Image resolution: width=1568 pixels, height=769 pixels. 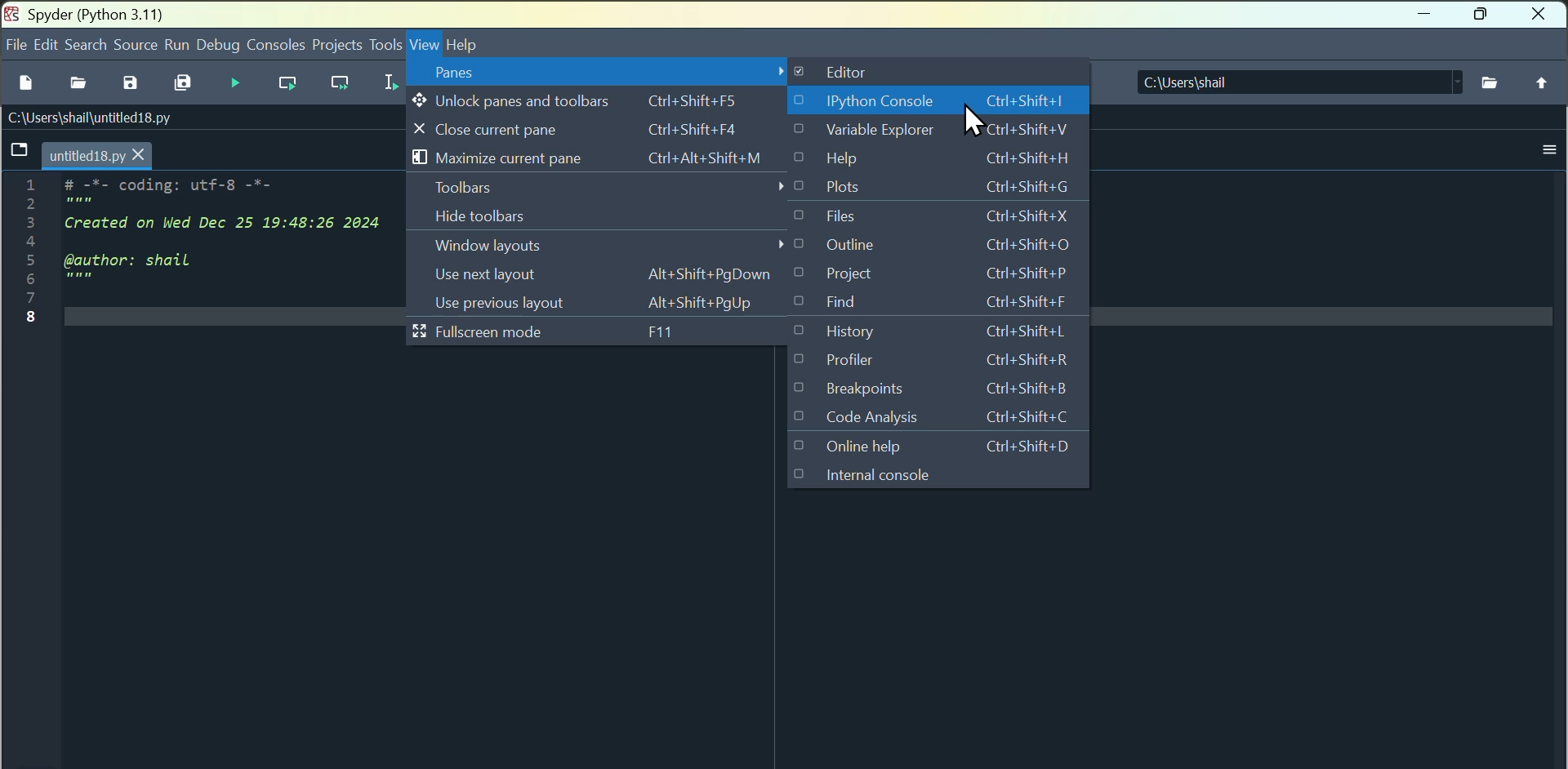 What do you see at coordinates (934, 158) in the screenshot?
I see `Help` at bounding box center [934, 158].